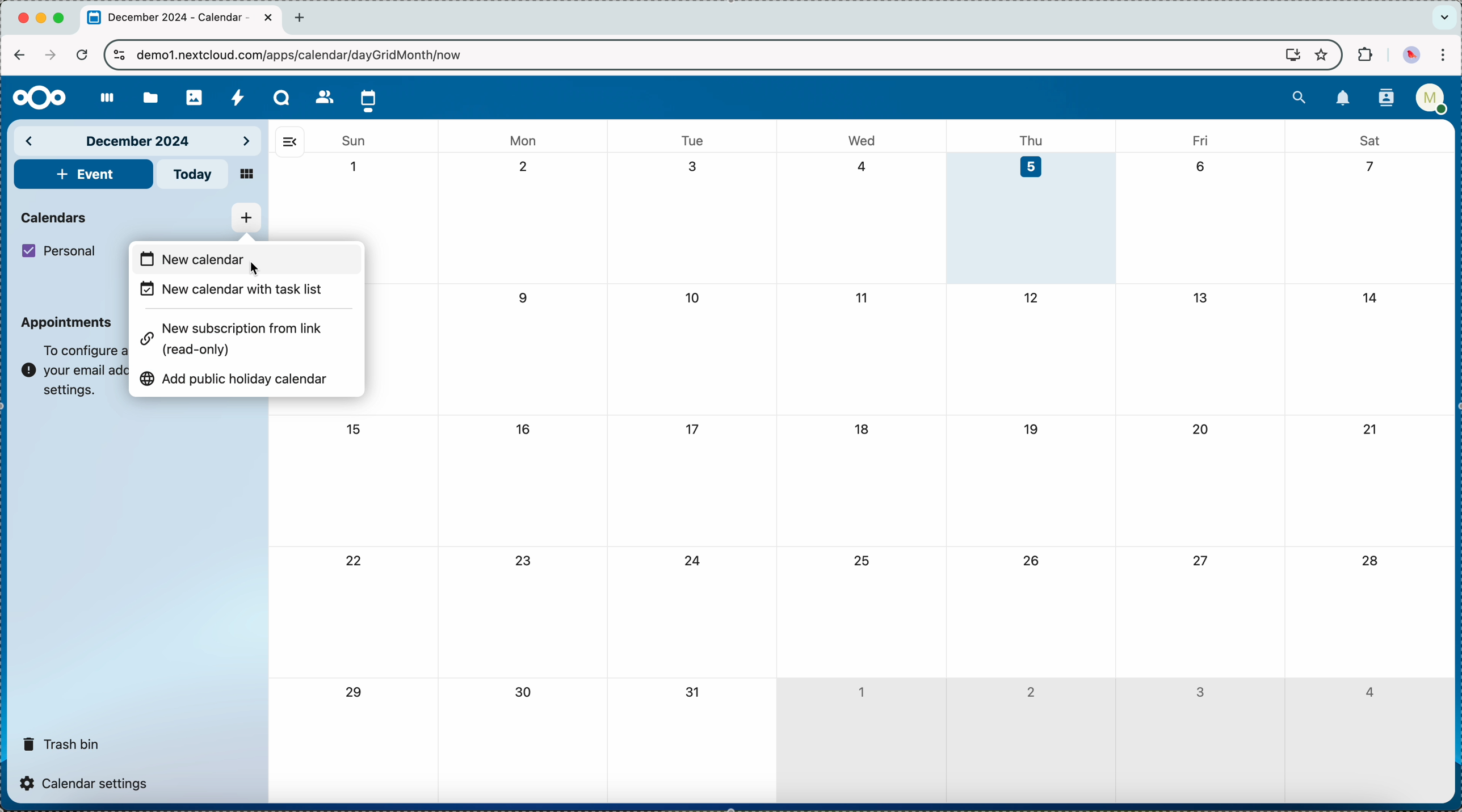  What do you see at coordinates (19, 54) in the screenshot?
I see `navigate back` at bounding box center [19, 54].